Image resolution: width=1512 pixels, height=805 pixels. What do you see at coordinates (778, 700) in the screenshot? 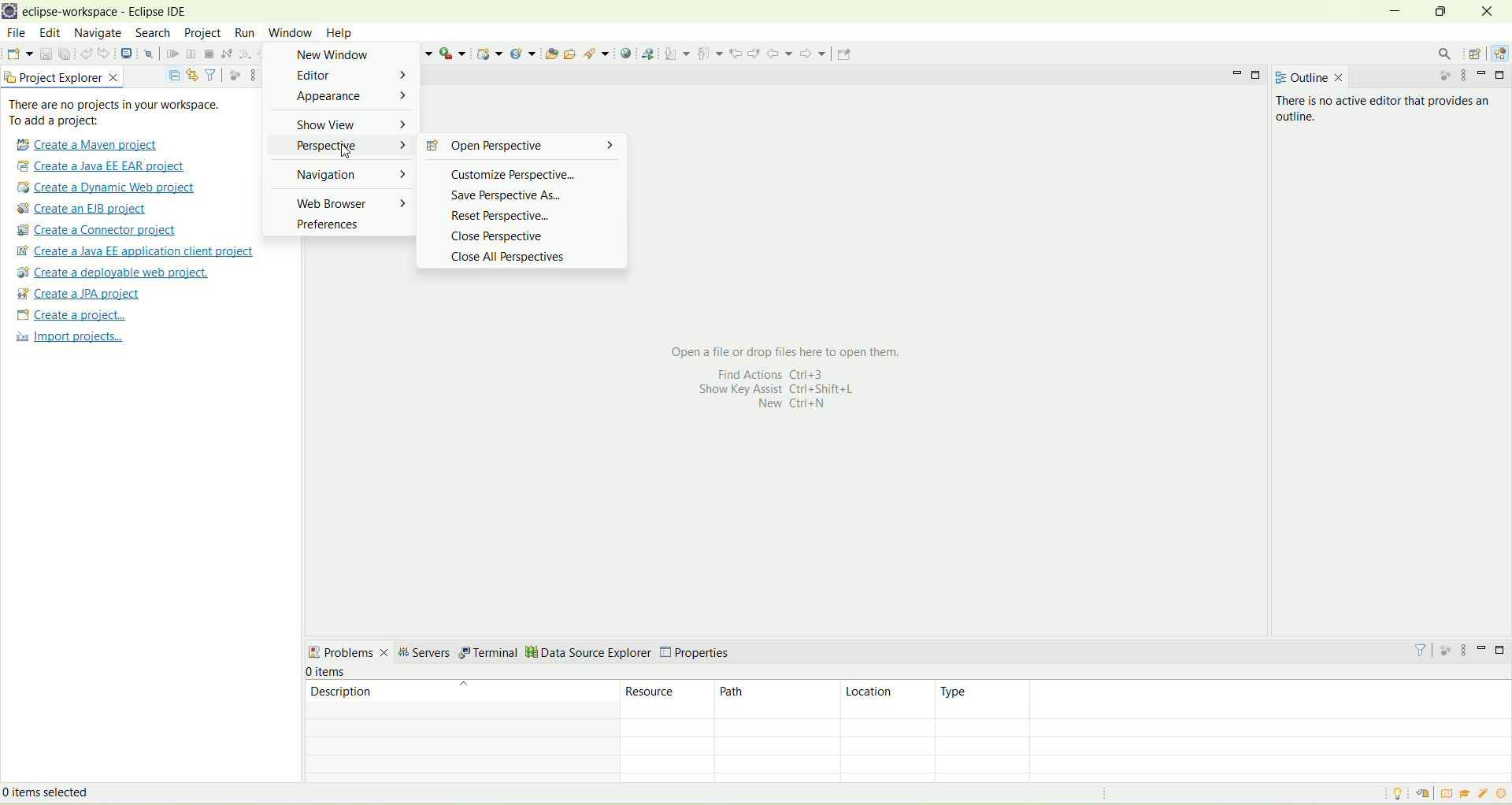
I see `path` at bounding box center [778, 700].